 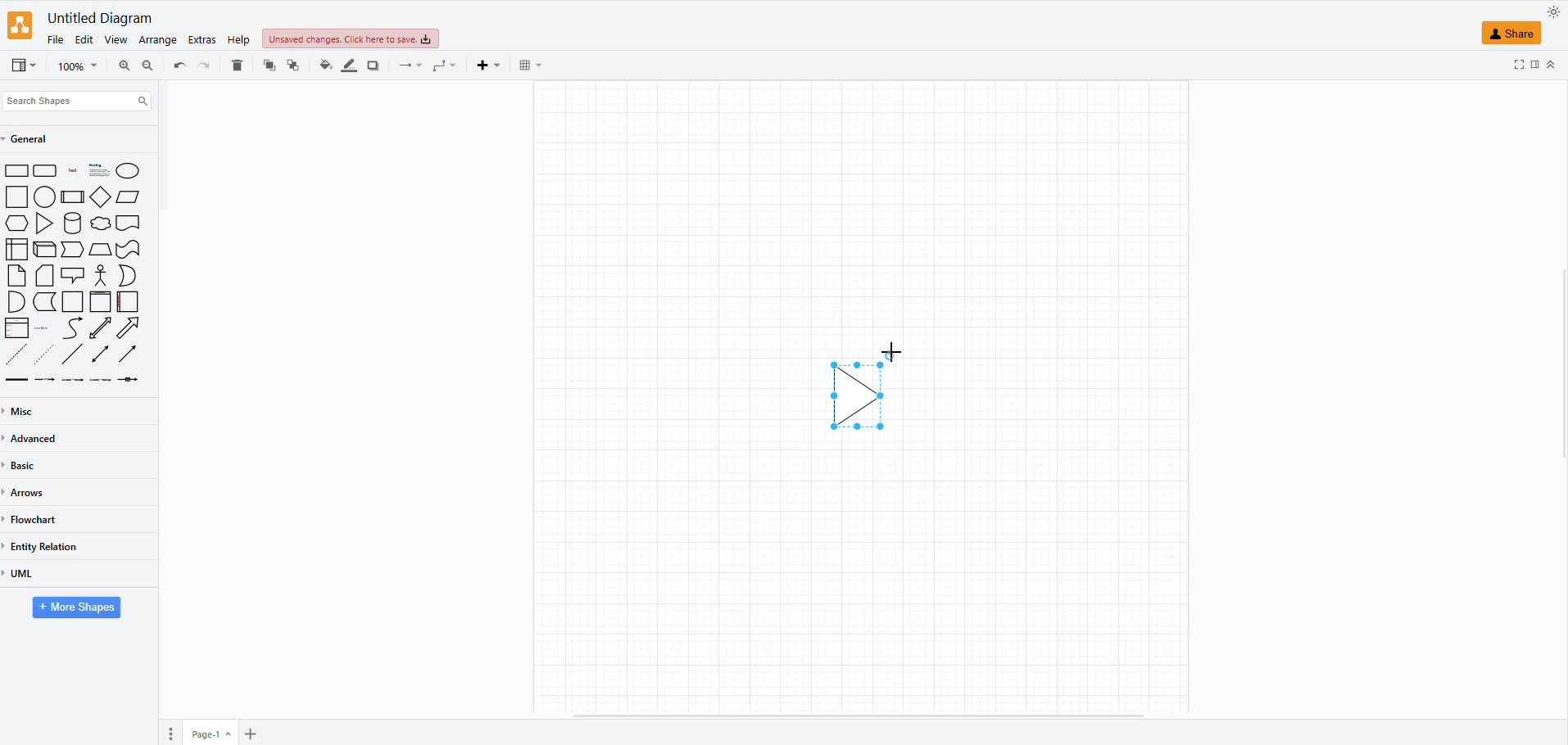 What do you see at coordinates (72, 380) in the screenshot?
I see `Labelled Arrow` at bounding box center [72, 380].